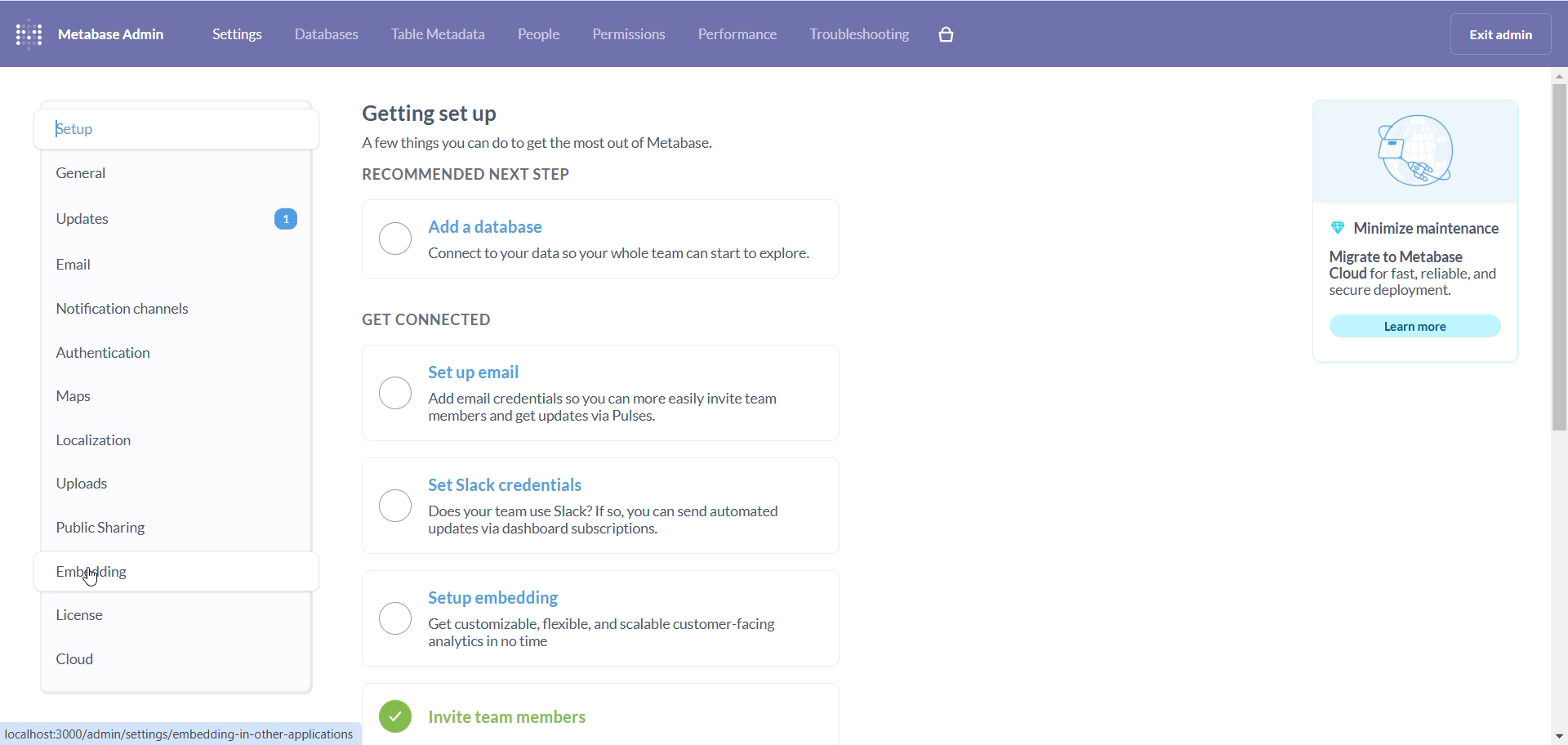  I want to click on authentication, so click(158, 355).